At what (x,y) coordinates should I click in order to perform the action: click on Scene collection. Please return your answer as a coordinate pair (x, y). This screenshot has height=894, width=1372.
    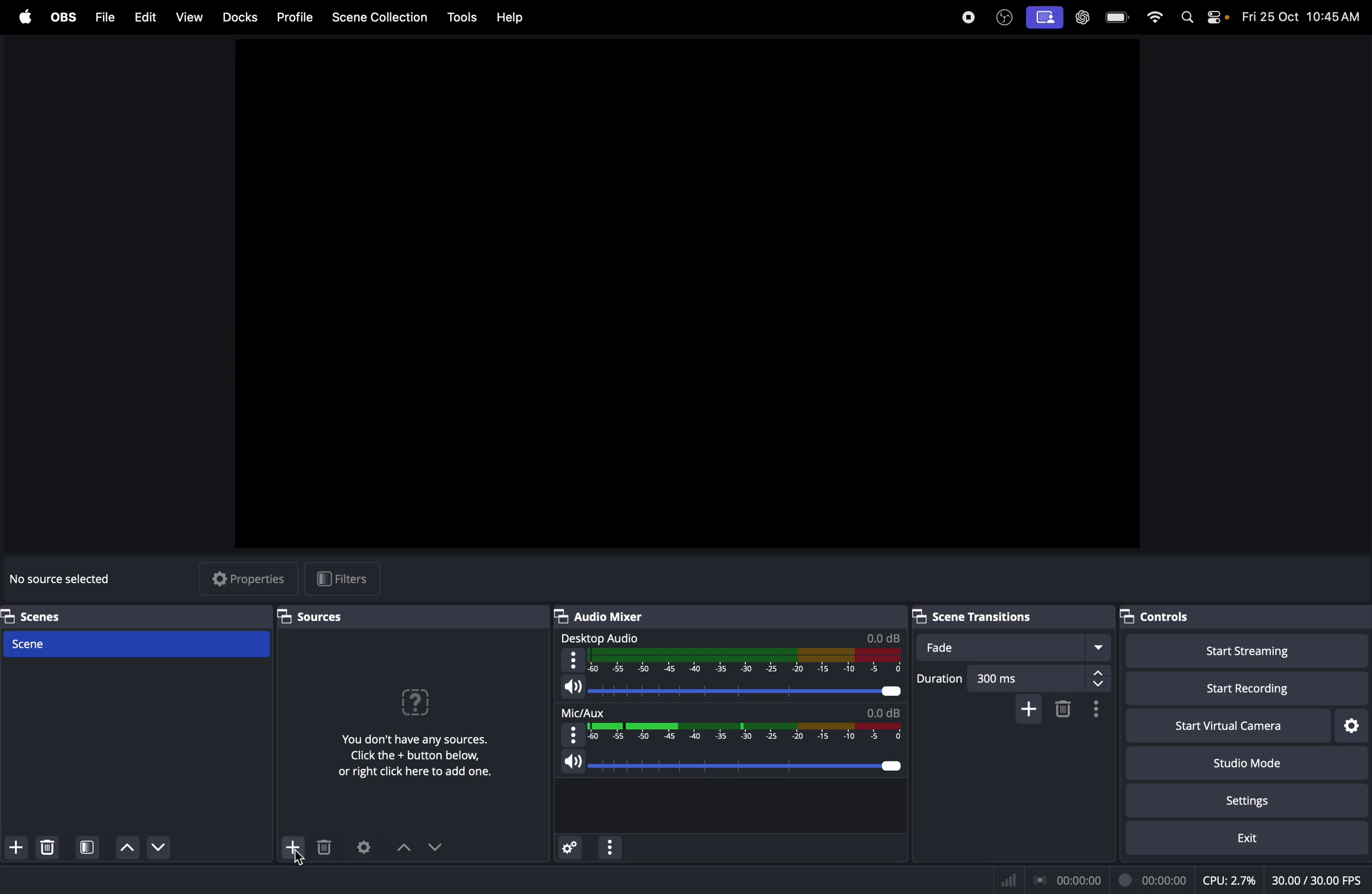
    Looking at the image, I should click on (383, 16).